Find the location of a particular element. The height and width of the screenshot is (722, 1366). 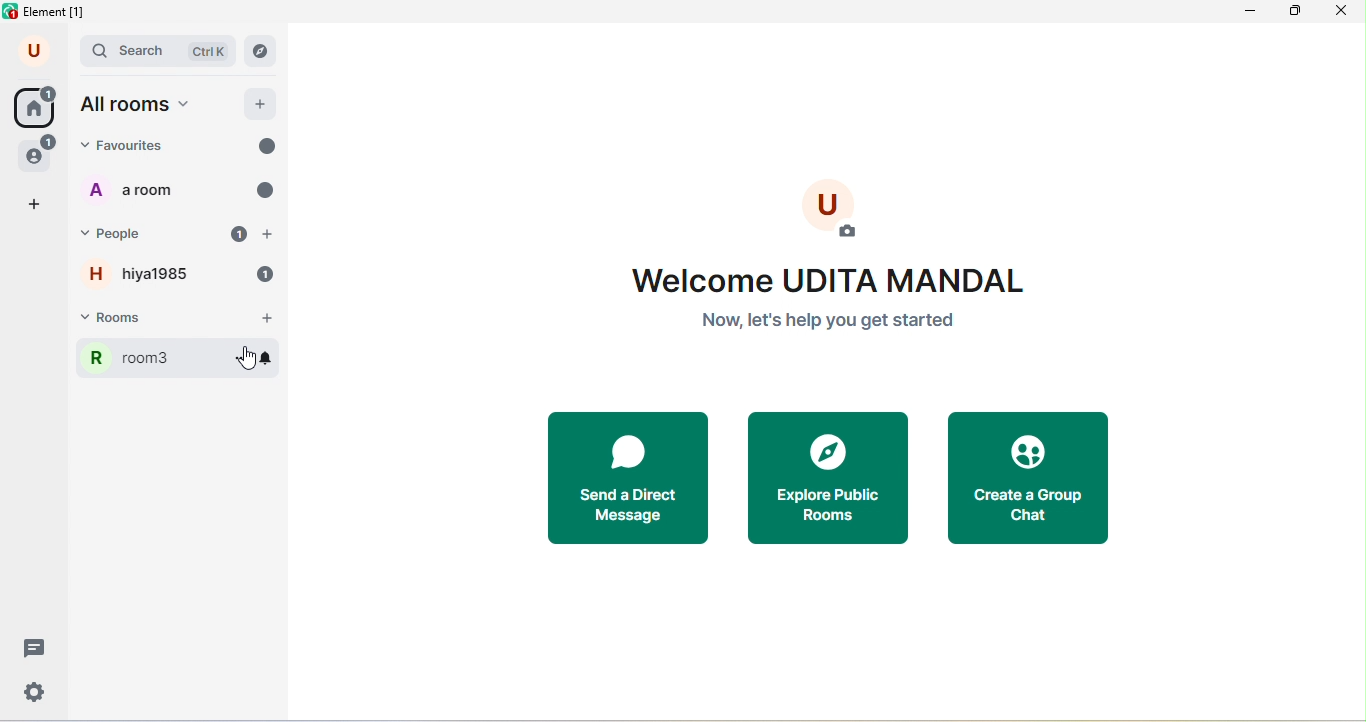

people is located at coordinates (125, 235).